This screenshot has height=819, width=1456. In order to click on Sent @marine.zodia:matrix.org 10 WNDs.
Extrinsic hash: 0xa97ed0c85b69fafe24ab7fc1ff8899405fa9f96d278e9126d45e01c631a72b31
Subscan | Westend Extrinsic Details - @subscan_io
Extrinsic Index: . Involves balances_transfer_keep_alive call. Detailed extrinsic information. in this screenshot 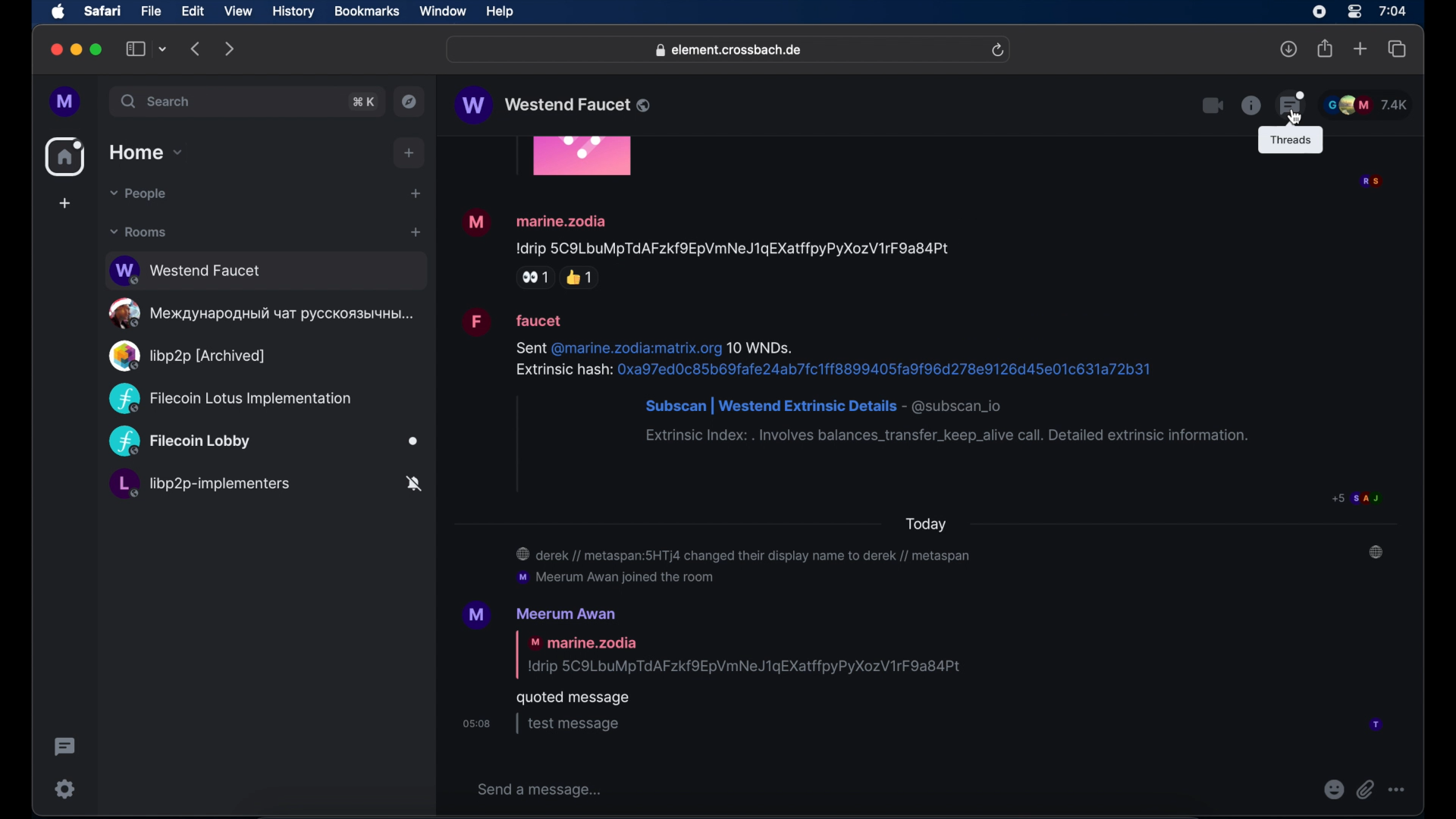, I will do `click(896, 400)`.